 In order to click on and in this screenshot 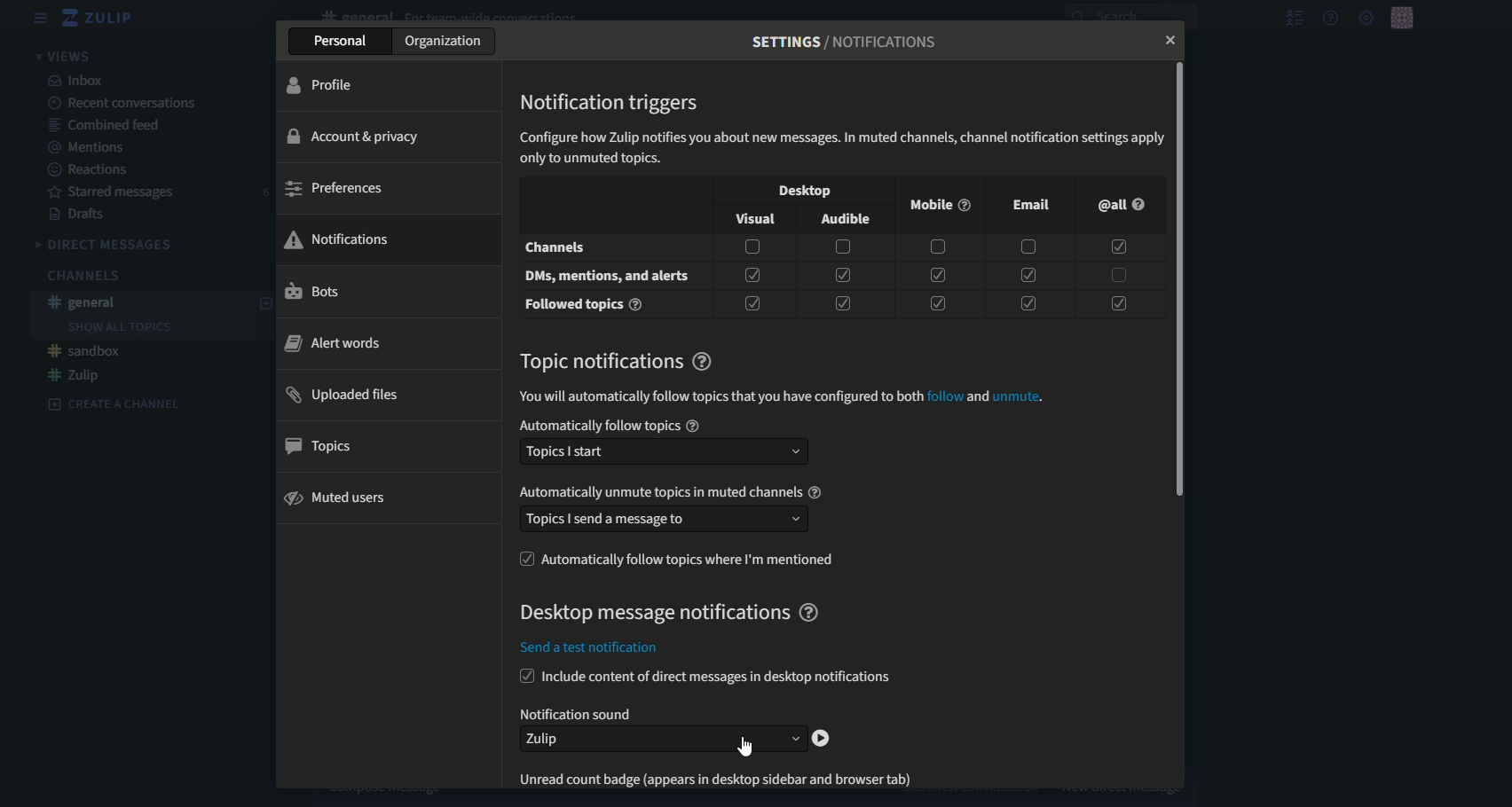, I will do `click(978, 396)`.